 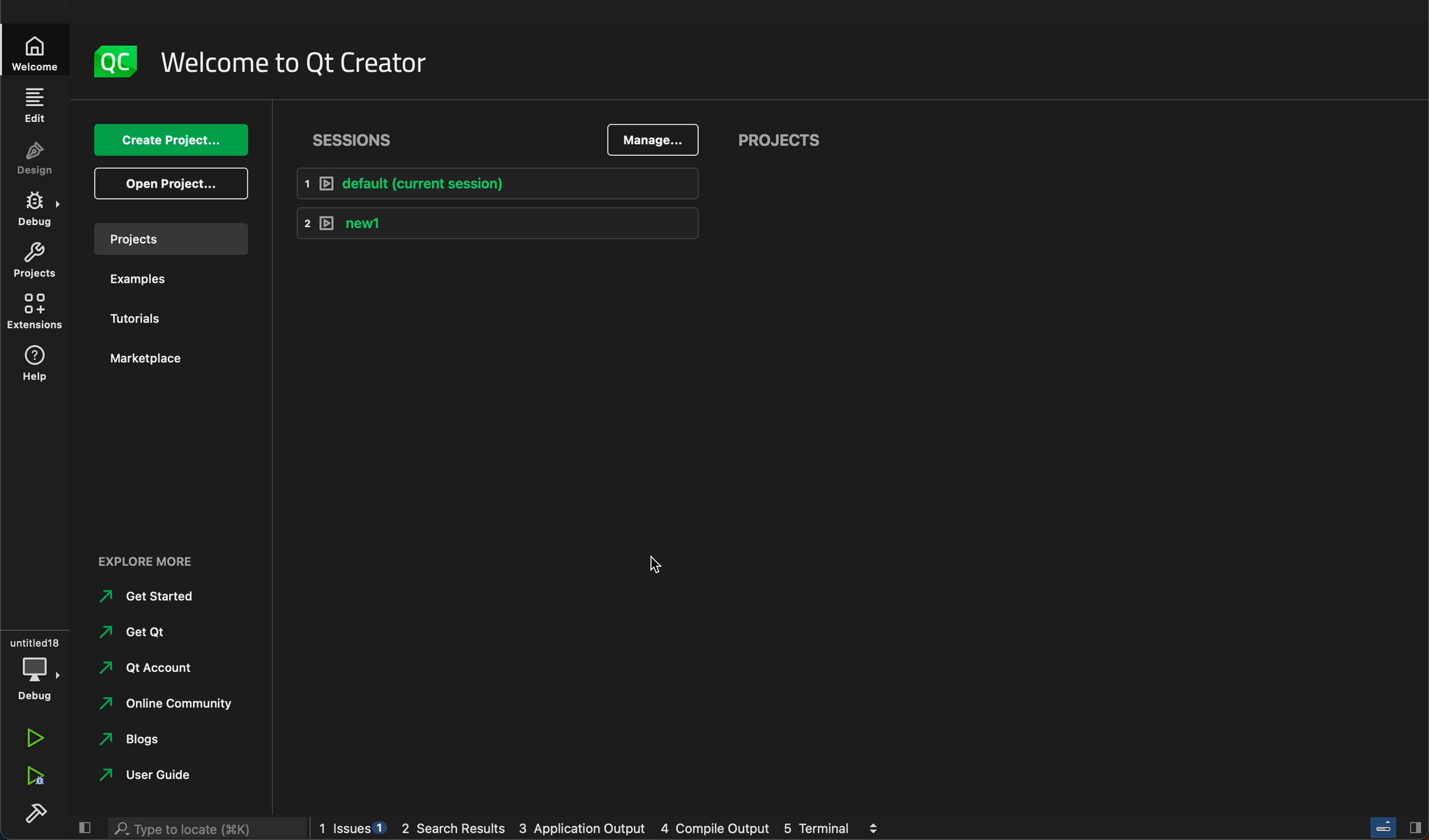 I want to click on build, so click(x=34, y=812).